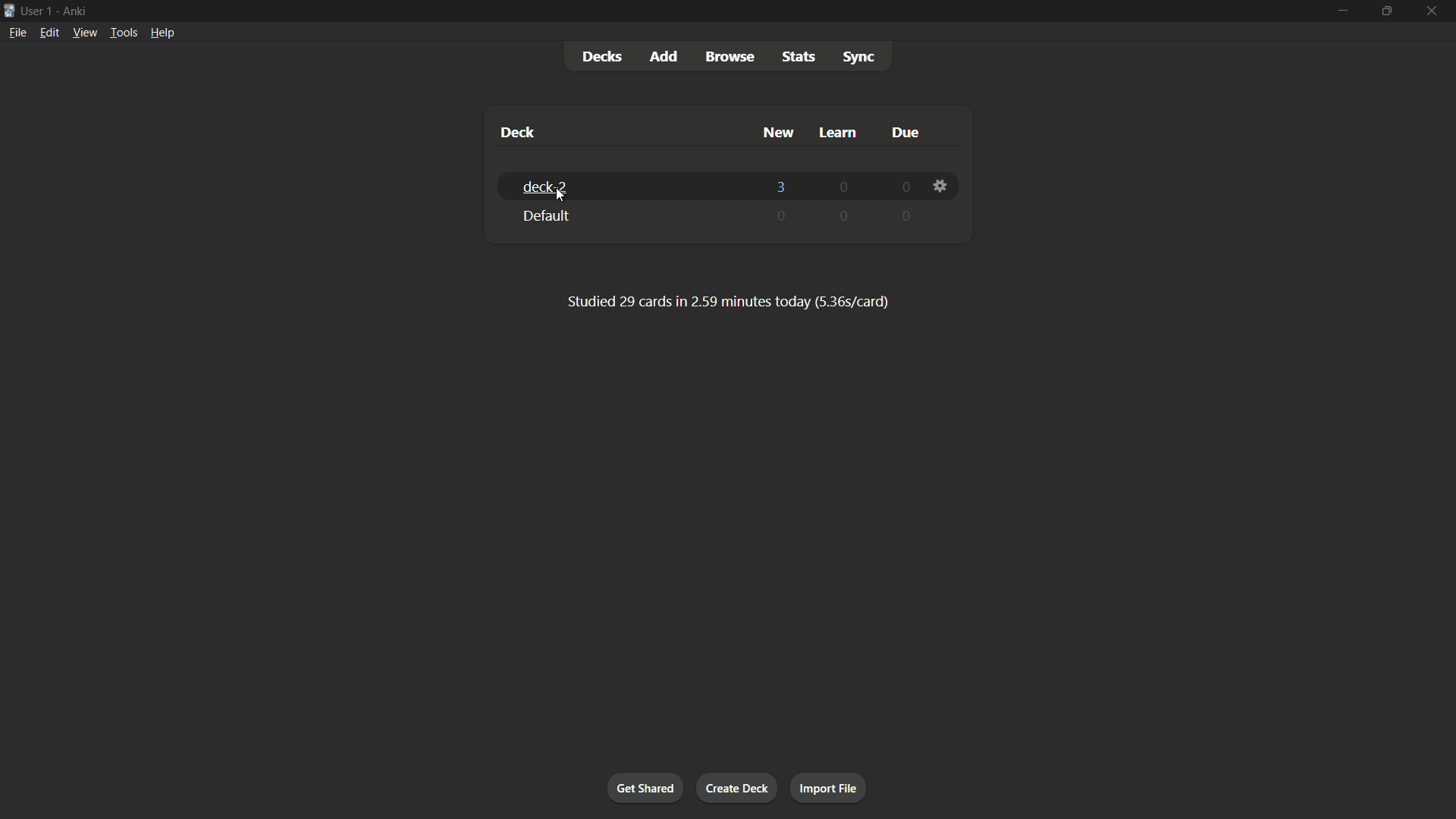  Describe the element at coordinates (558, 193) in the screenshot. I see `cursor` at that location.